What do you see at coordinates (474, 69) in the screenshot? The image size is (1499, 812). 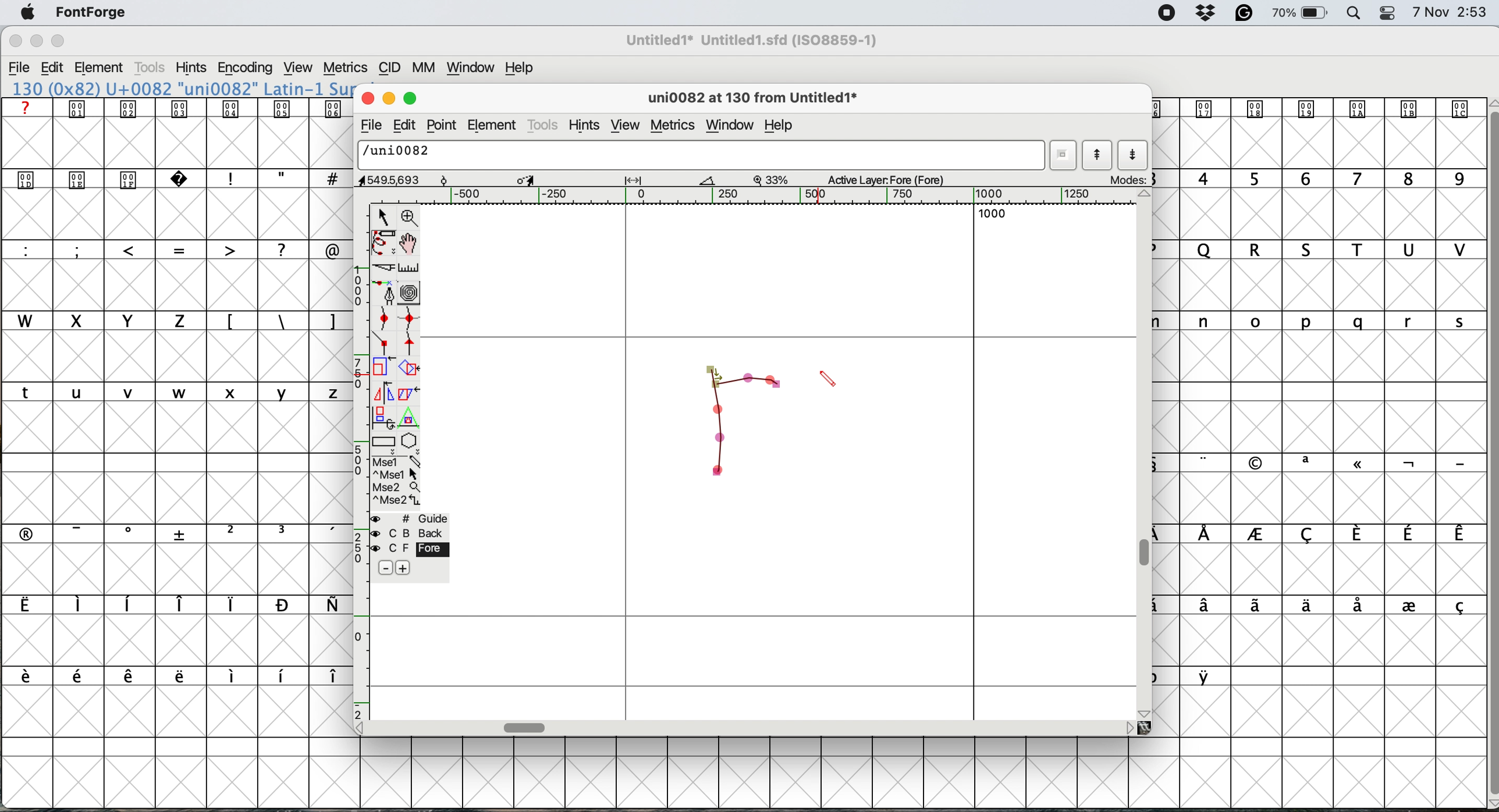 I see `window` at bounding box center [474, 69].